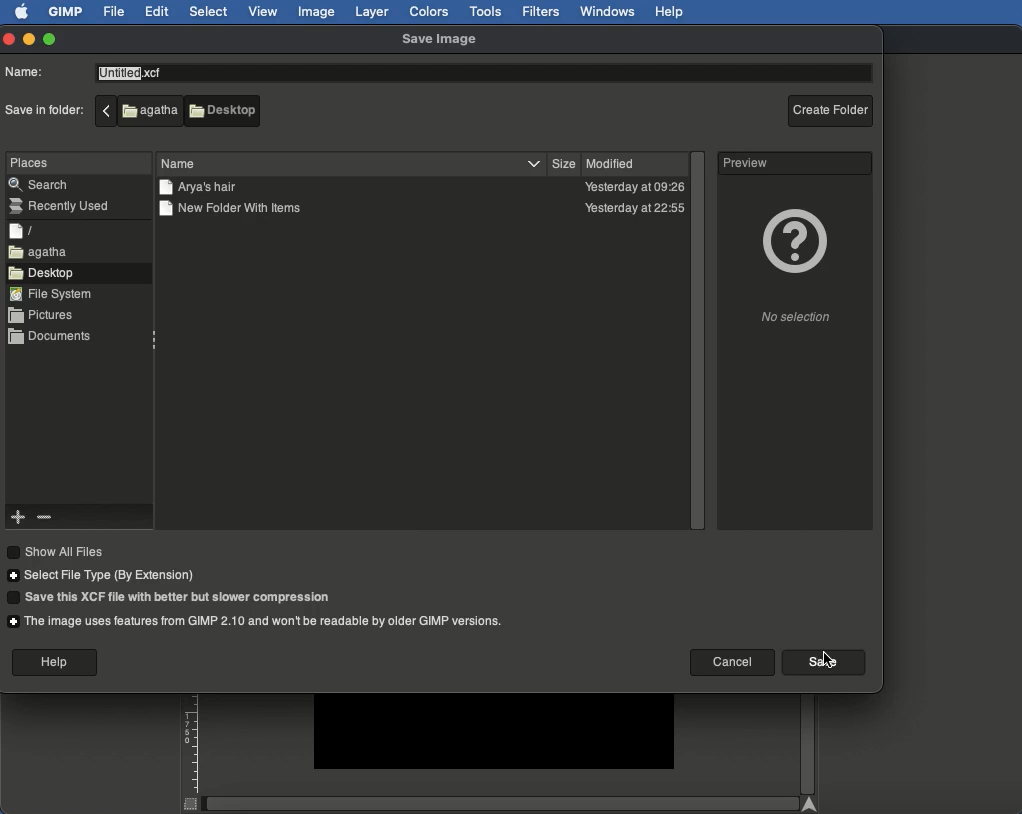  I want to click on GIMP, so click(67, 12).